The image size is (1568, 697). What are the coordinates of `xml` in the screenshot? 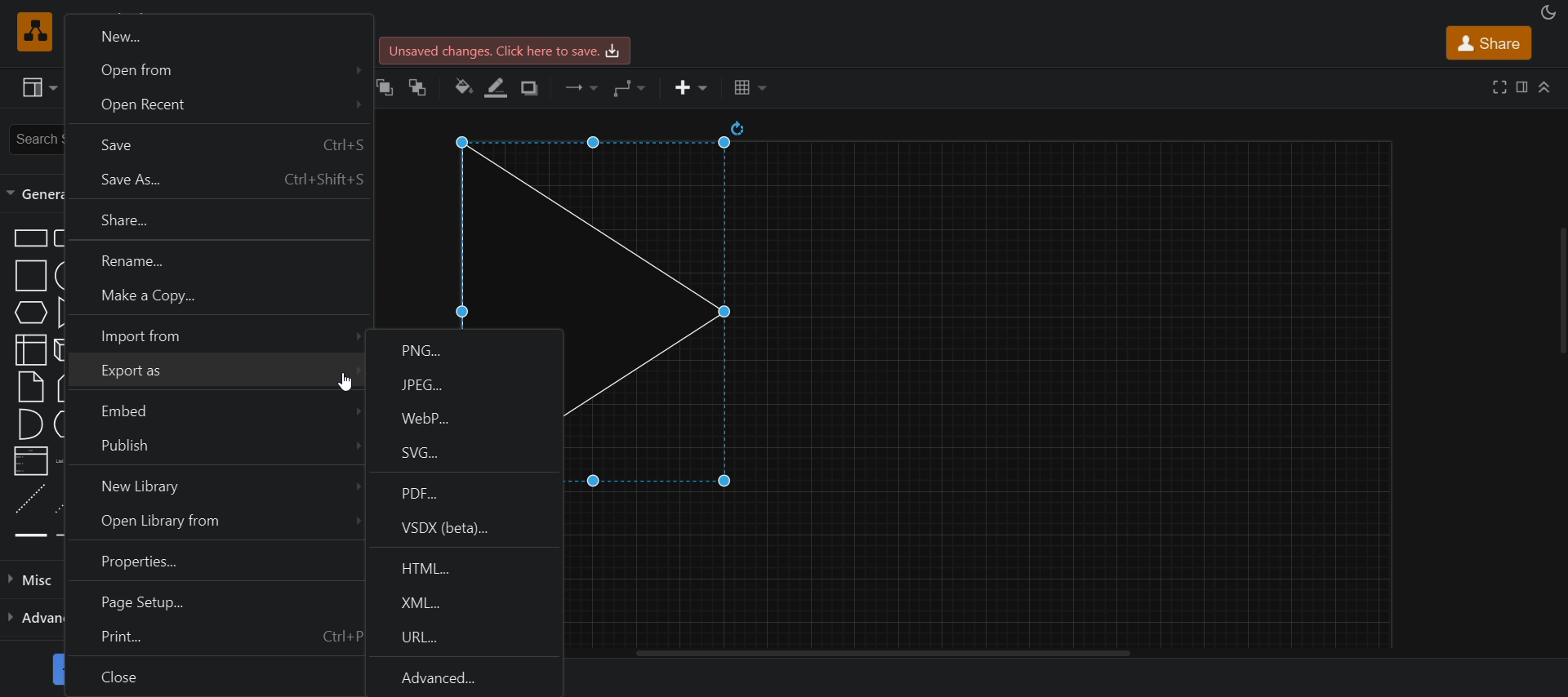 It's located at (466, 601).